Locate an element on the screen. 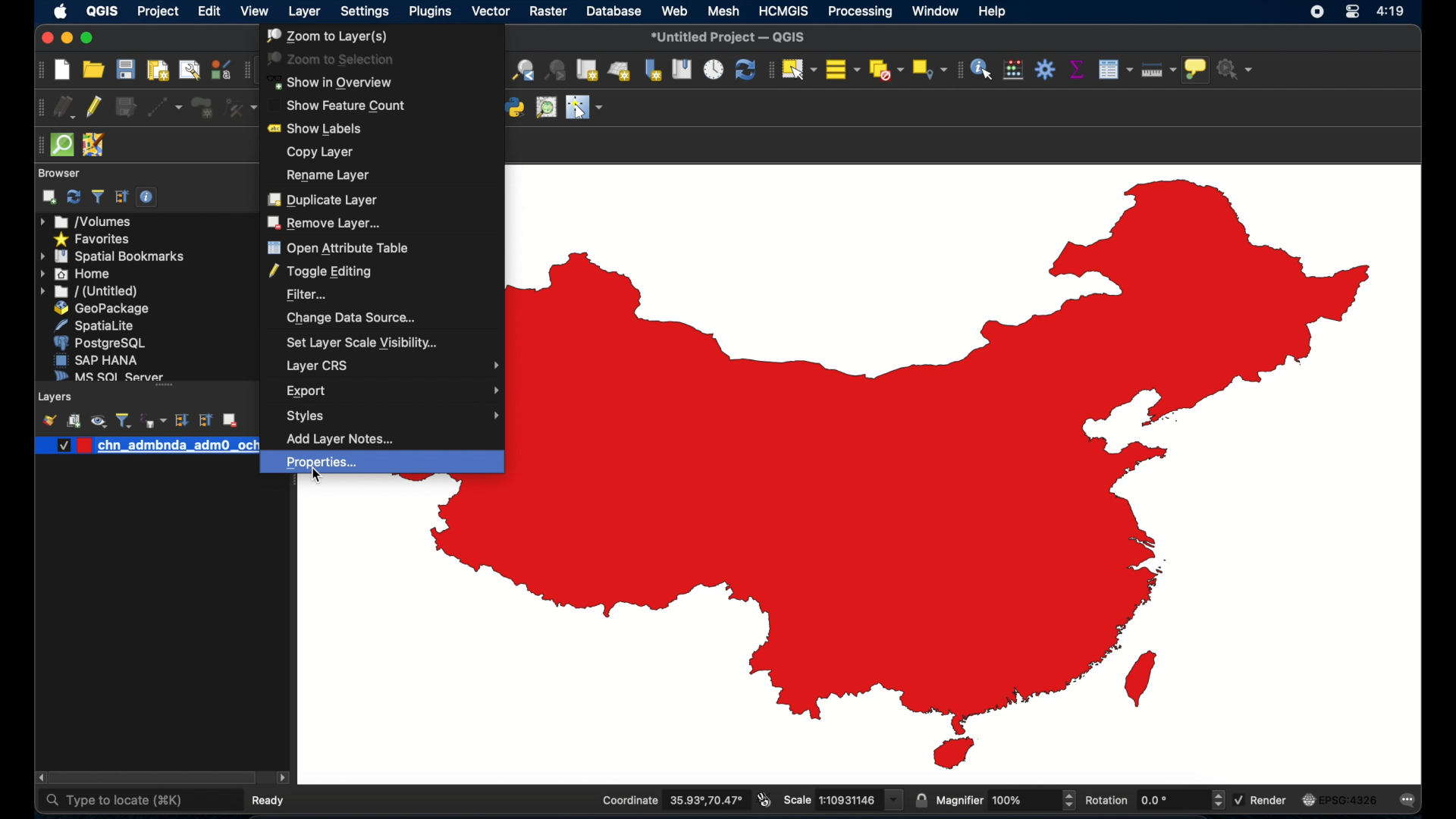  open project  is located at coordinates (93, 70).